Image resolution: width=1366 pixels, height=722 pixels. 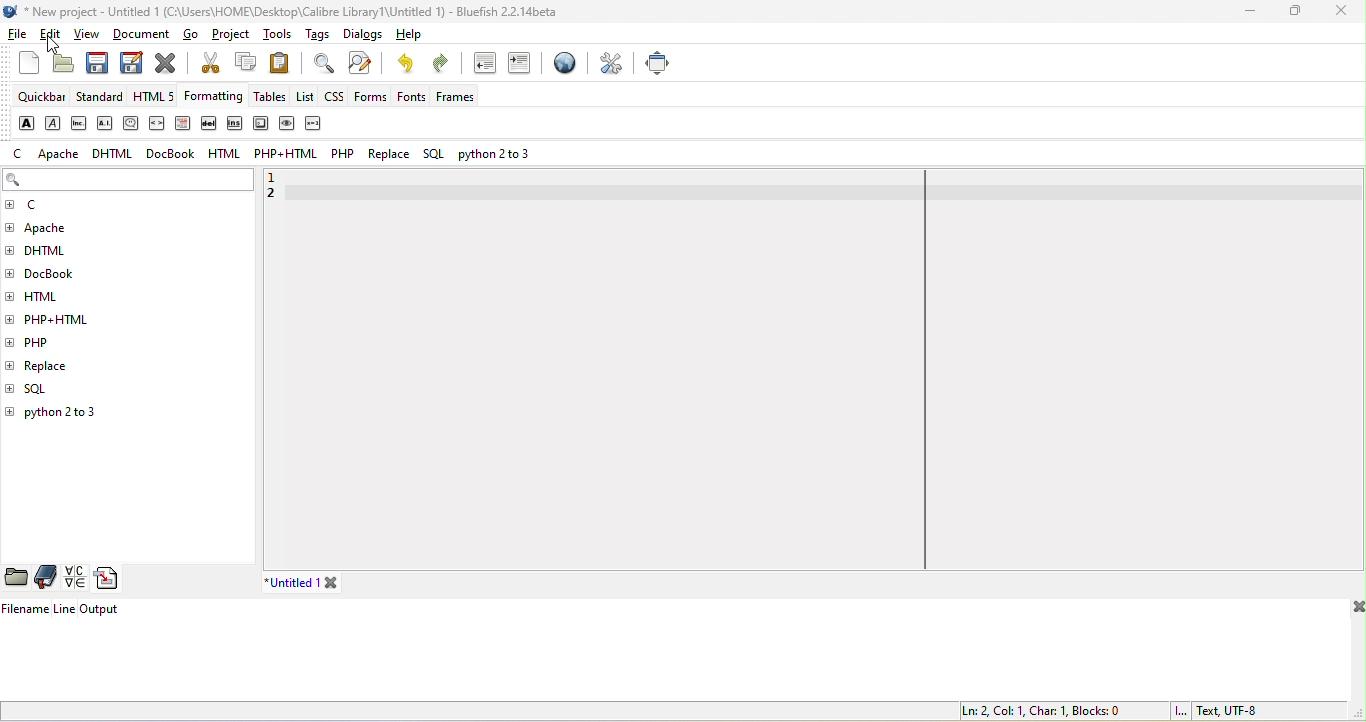 I want to click on replace, so click(x=389, y=156).